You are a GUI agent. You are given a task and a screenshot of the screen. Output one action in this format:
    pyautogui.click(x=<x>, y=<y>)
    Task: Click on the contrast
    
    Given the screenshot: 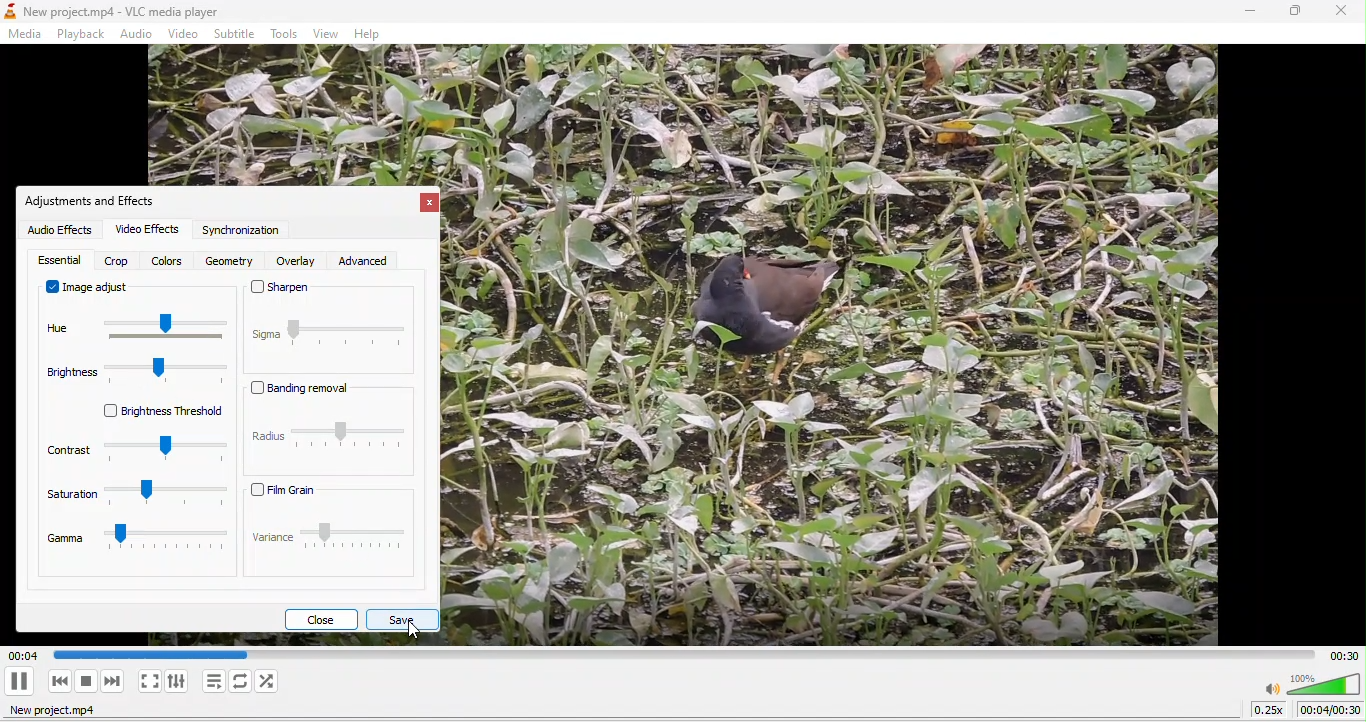 What is the action you would take?
    pyautogui.click(x=133, y=452)
    